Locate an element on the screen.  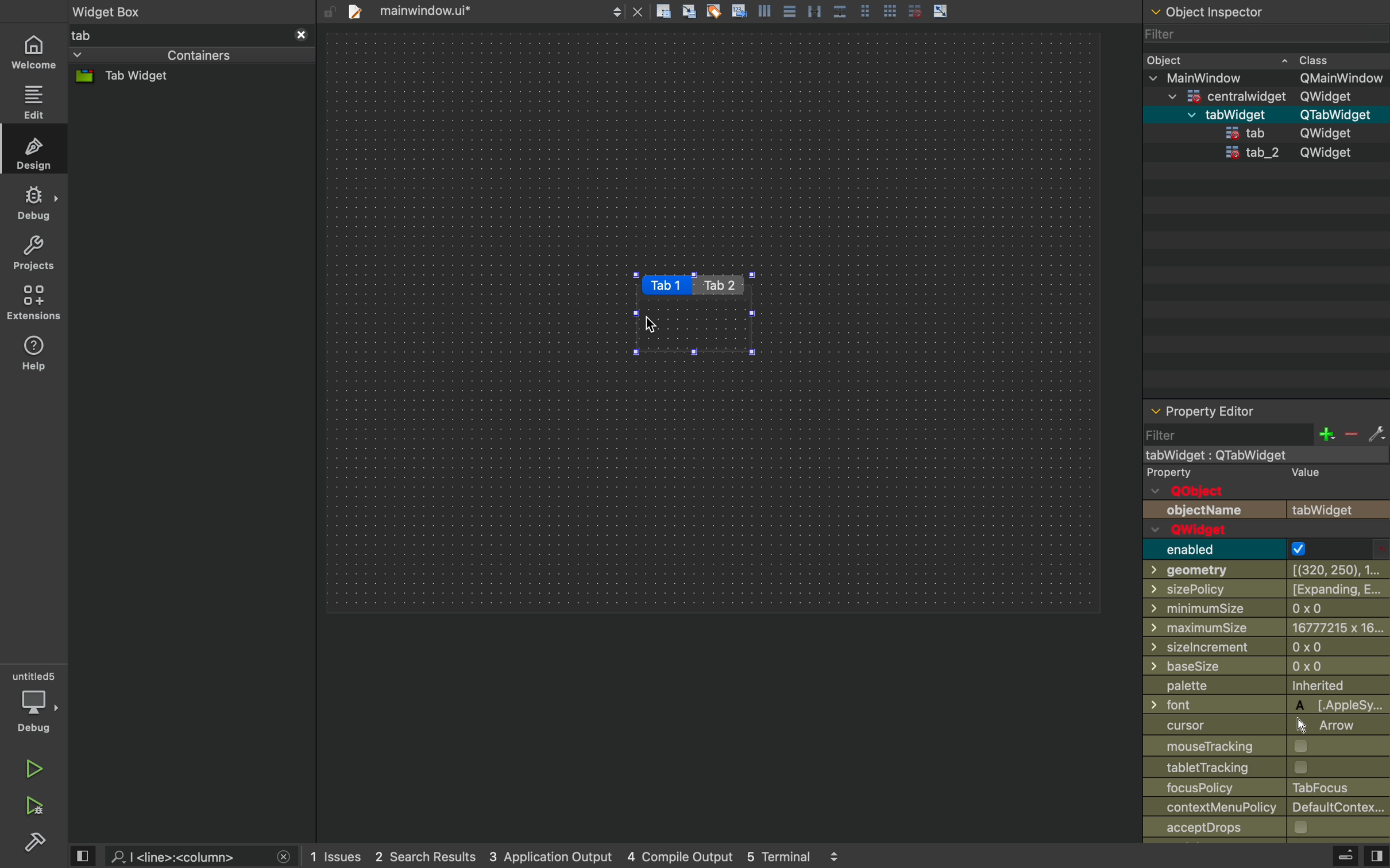
cursor is located at coordinates (1253, 726).